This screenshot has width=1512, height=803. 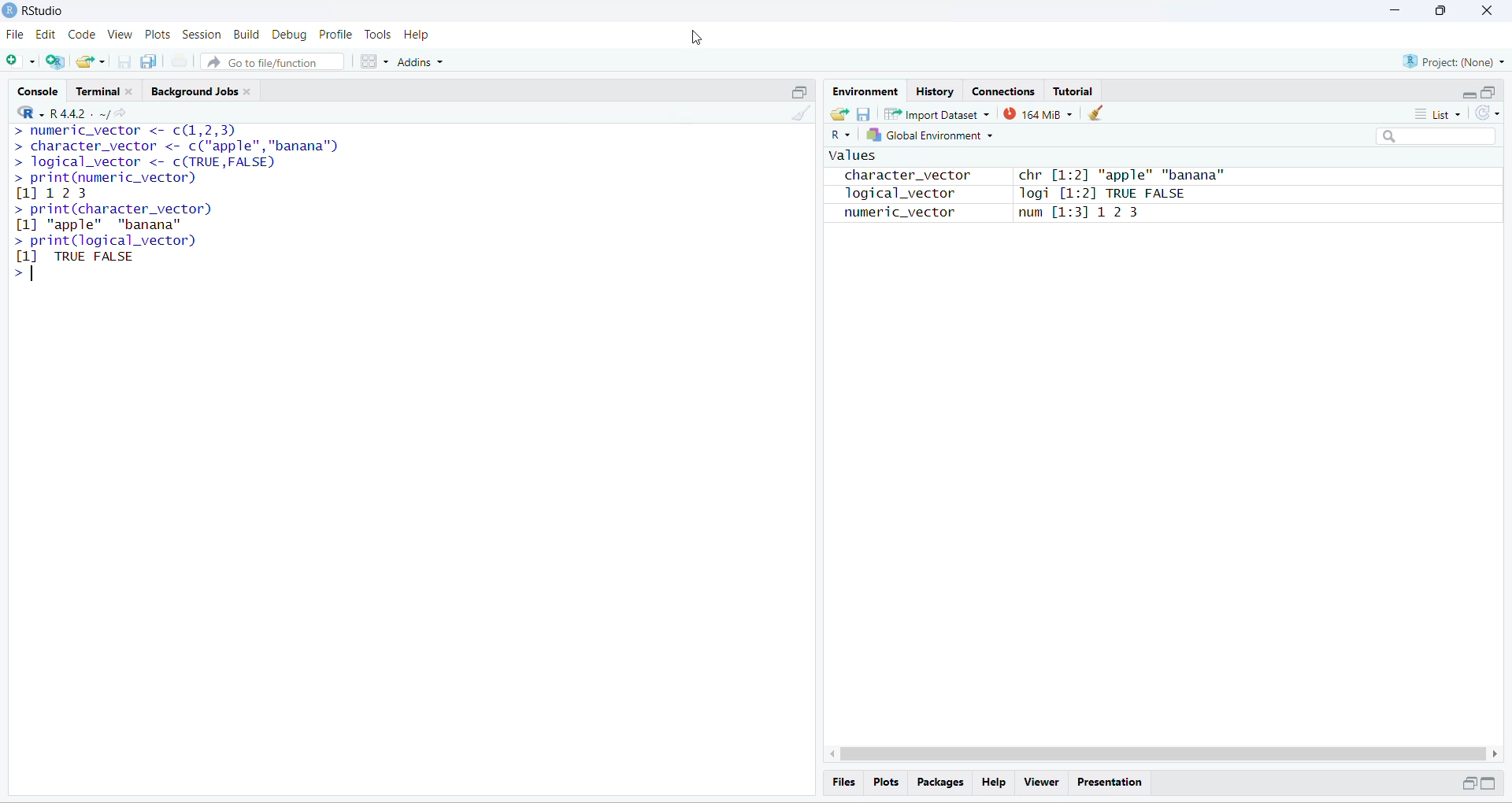 What do you see at coordinates (1042, 783) in the screenshot?
I see `Viewer` at bounding box center [1042, 783].